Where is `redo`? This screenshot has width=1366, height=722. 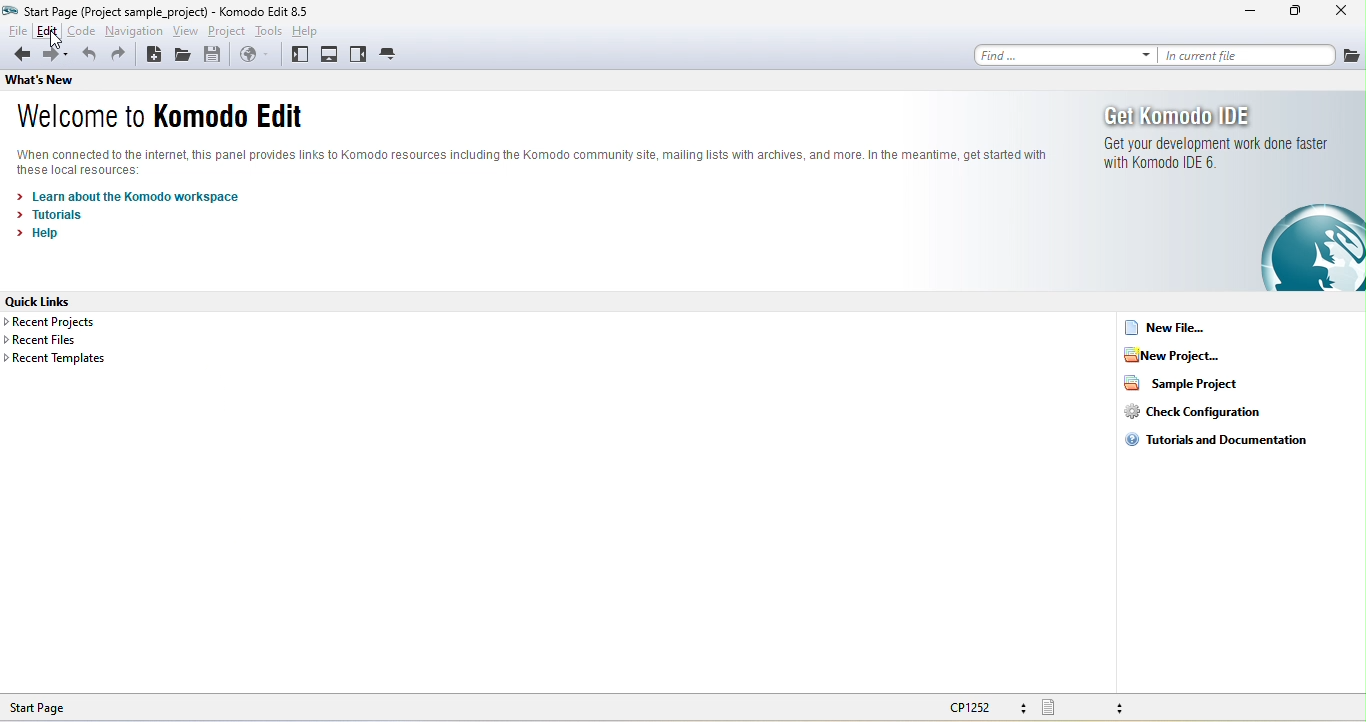 redo is located at coordinates (124, 54).